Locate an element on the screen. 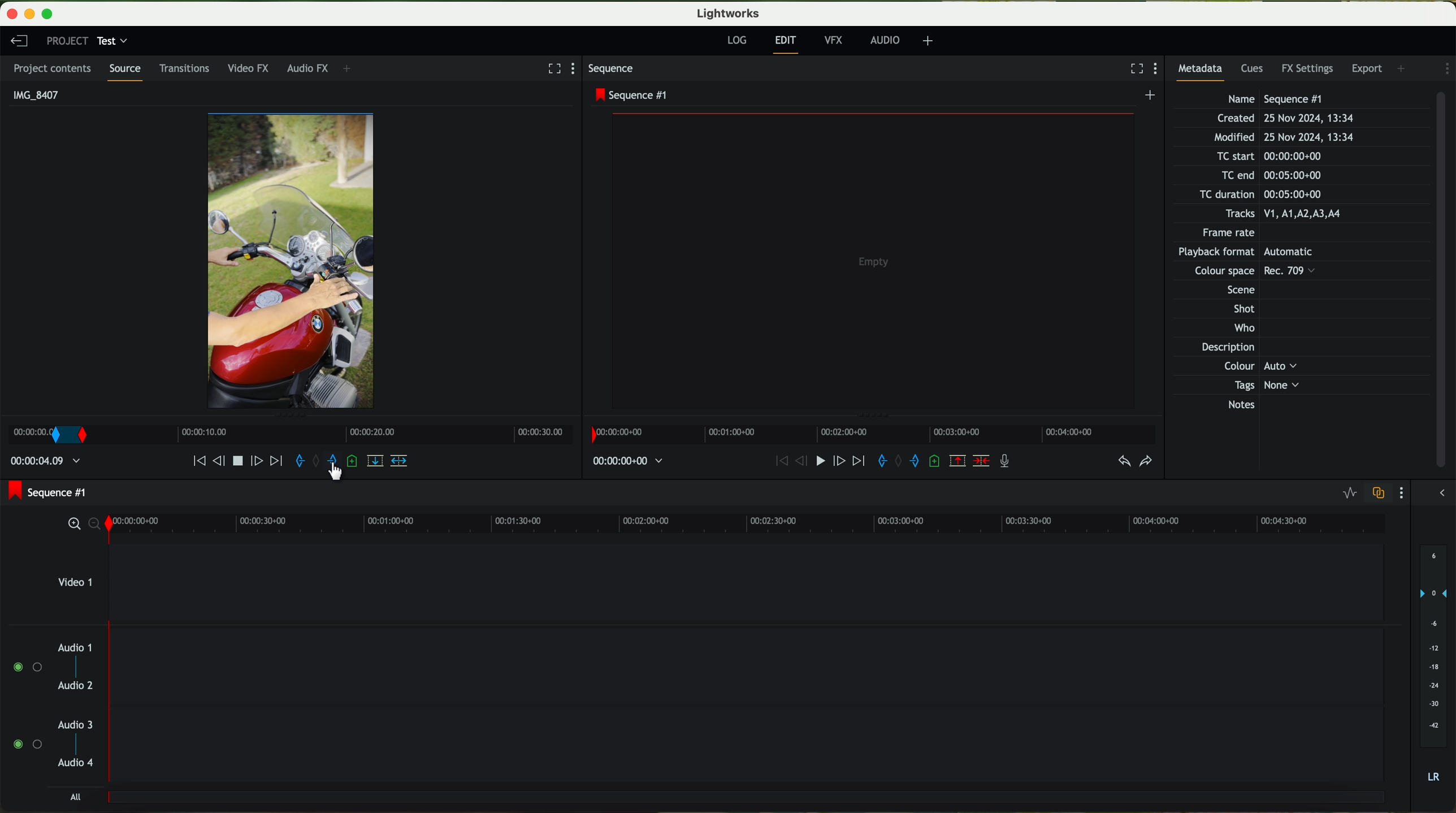 This screenshot has width=1456, height=813. show settings menu is located at coordinates (1404, 493).